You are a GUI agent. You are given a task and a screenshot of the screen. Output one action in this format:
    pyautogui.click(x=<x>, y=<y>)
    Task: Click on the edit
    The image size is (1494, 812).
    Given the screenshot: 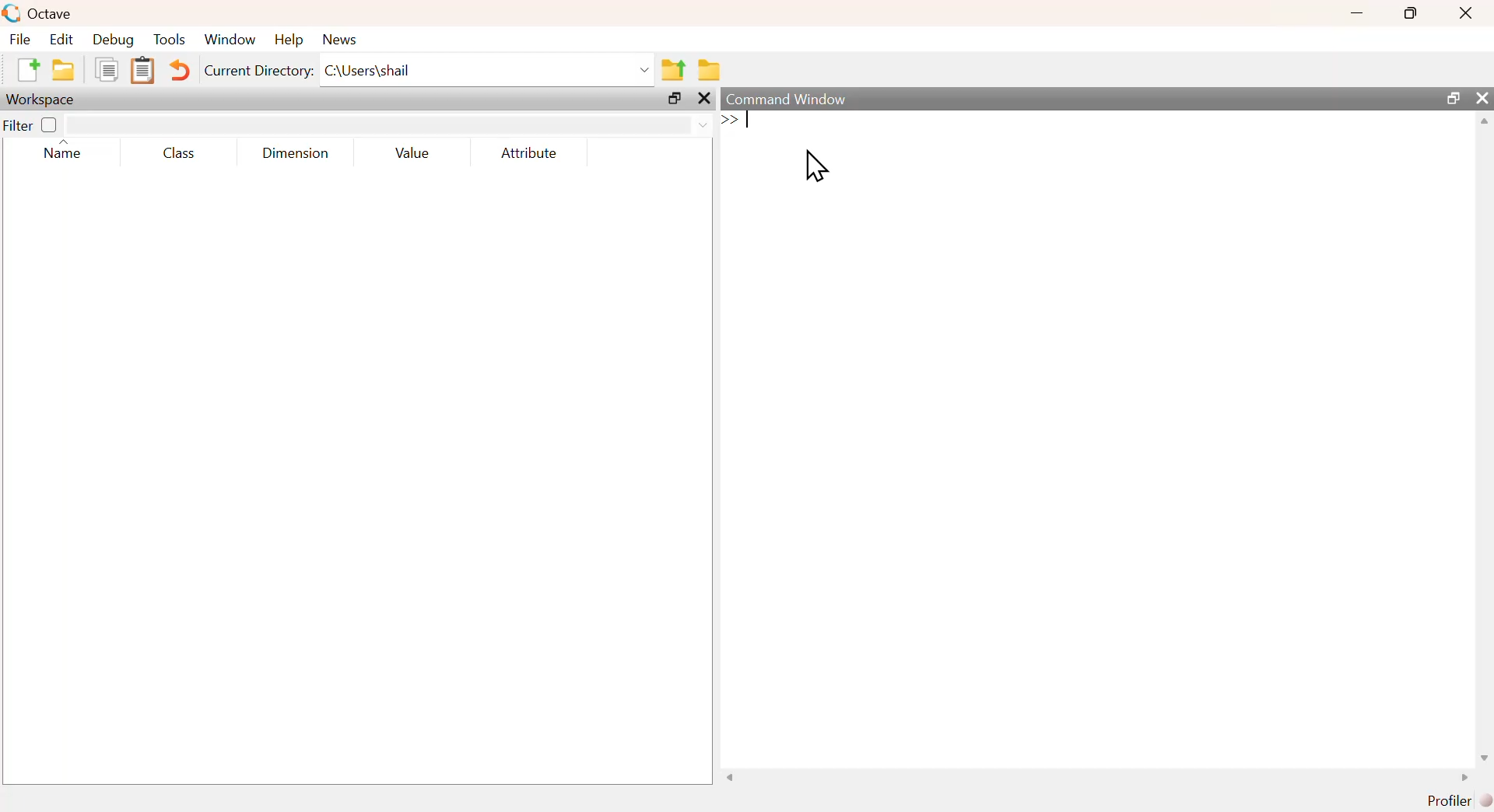 What is the action you would take?
    pyautogui.click(x=60, y=40)
    